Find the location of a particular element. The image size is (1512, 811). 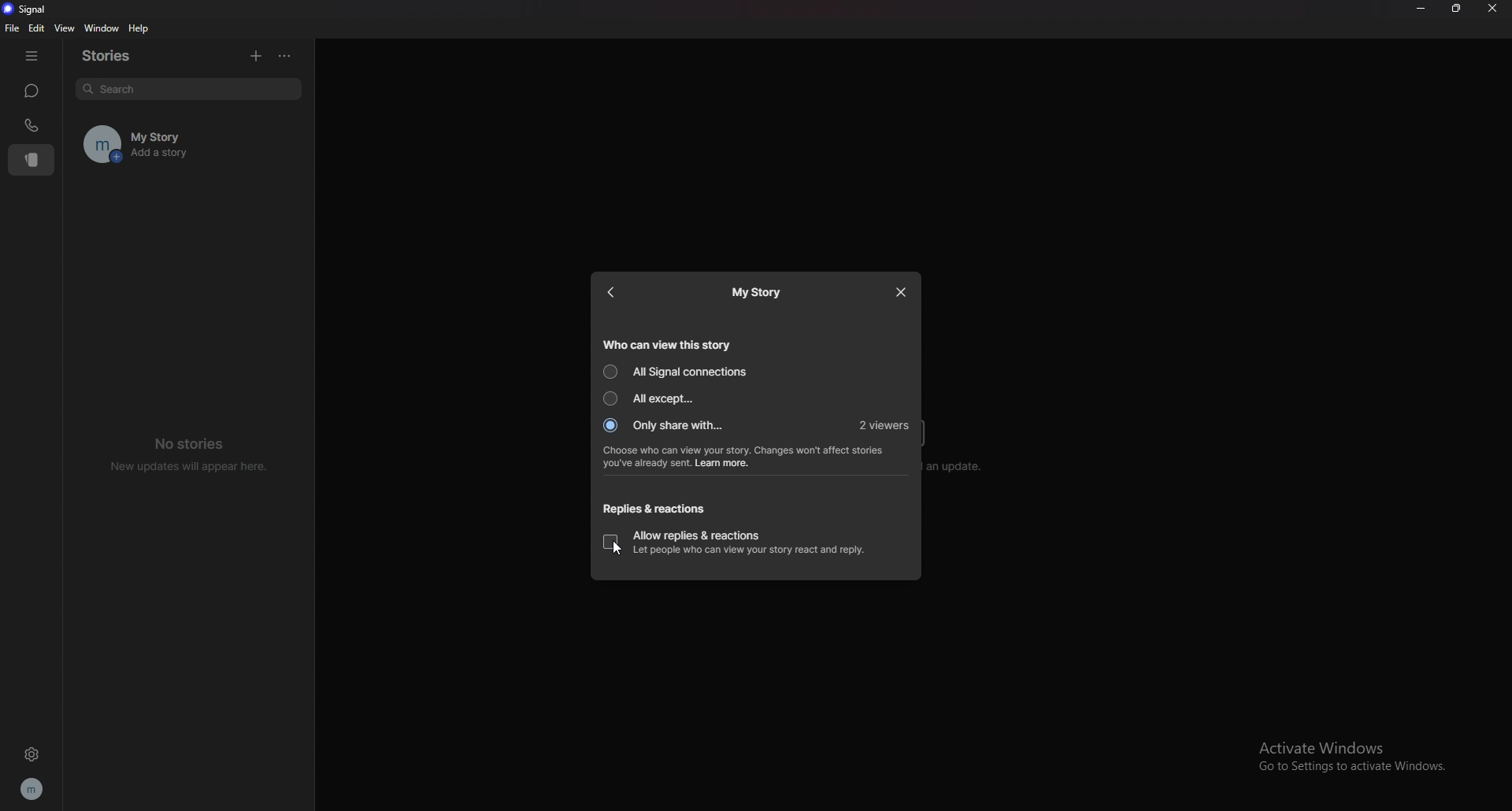

Add a story is located at coordinates (211, 157).